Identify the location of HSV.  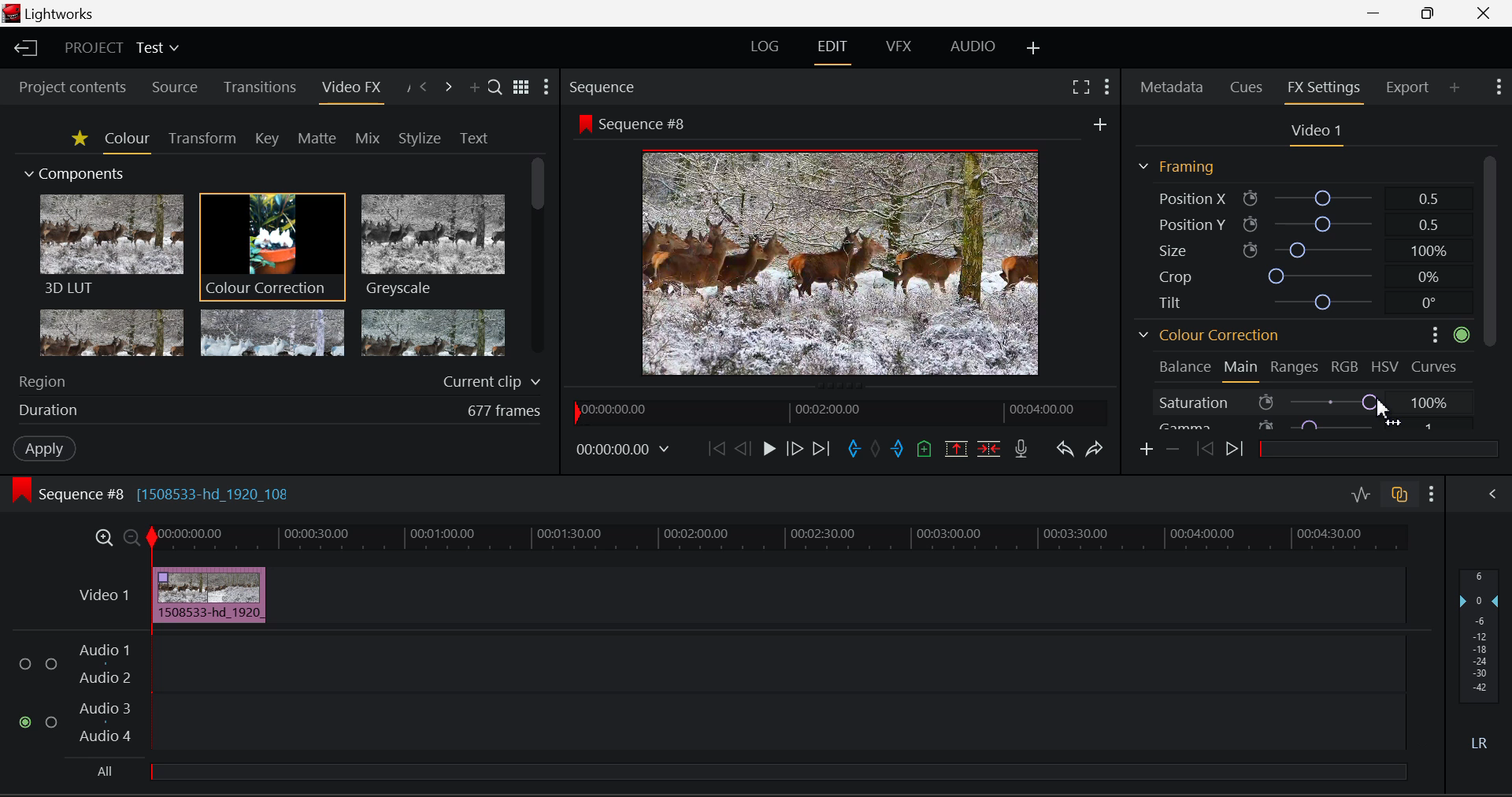
(1388, 366).